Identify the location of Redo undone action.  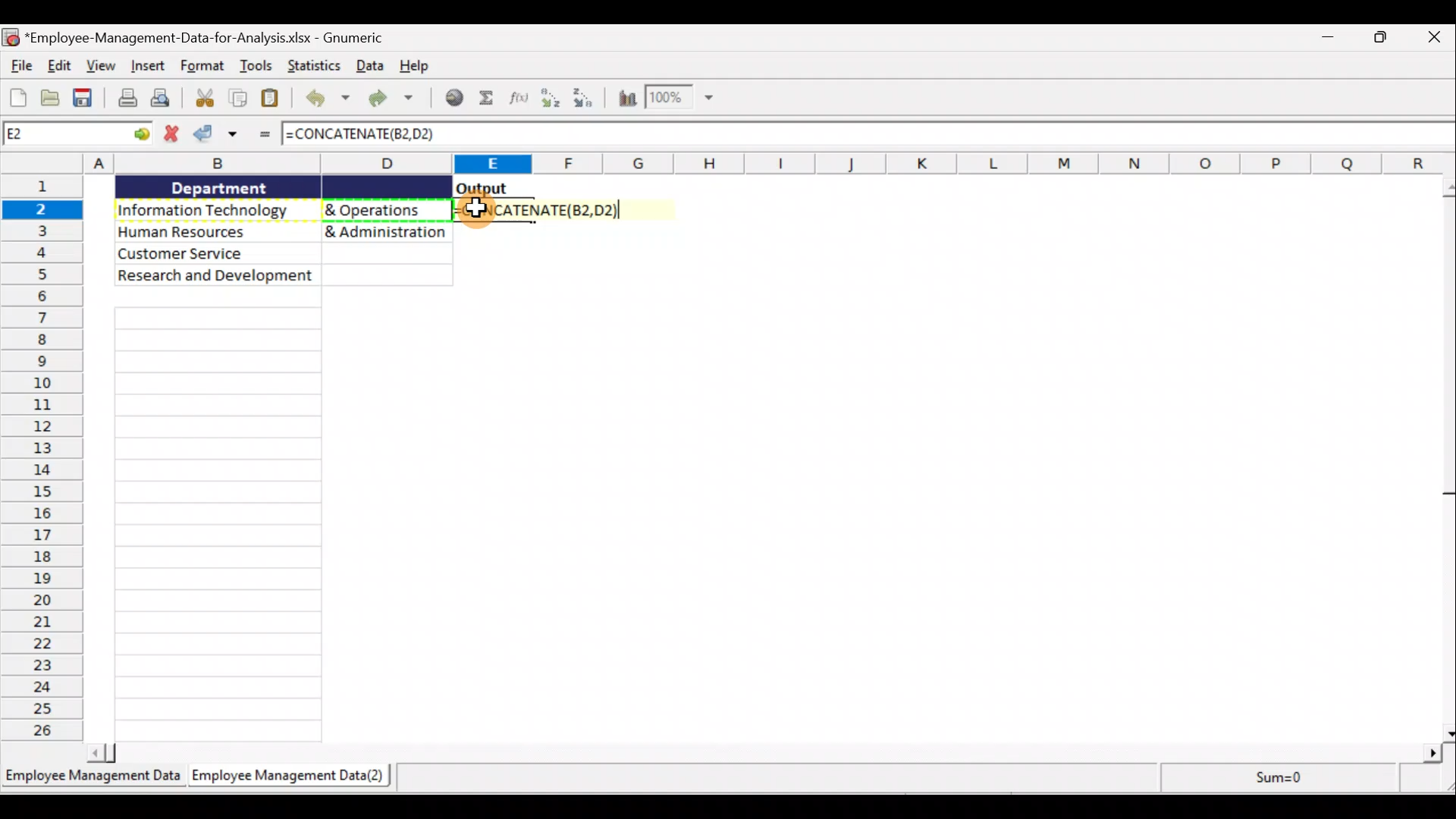
(397, 100).